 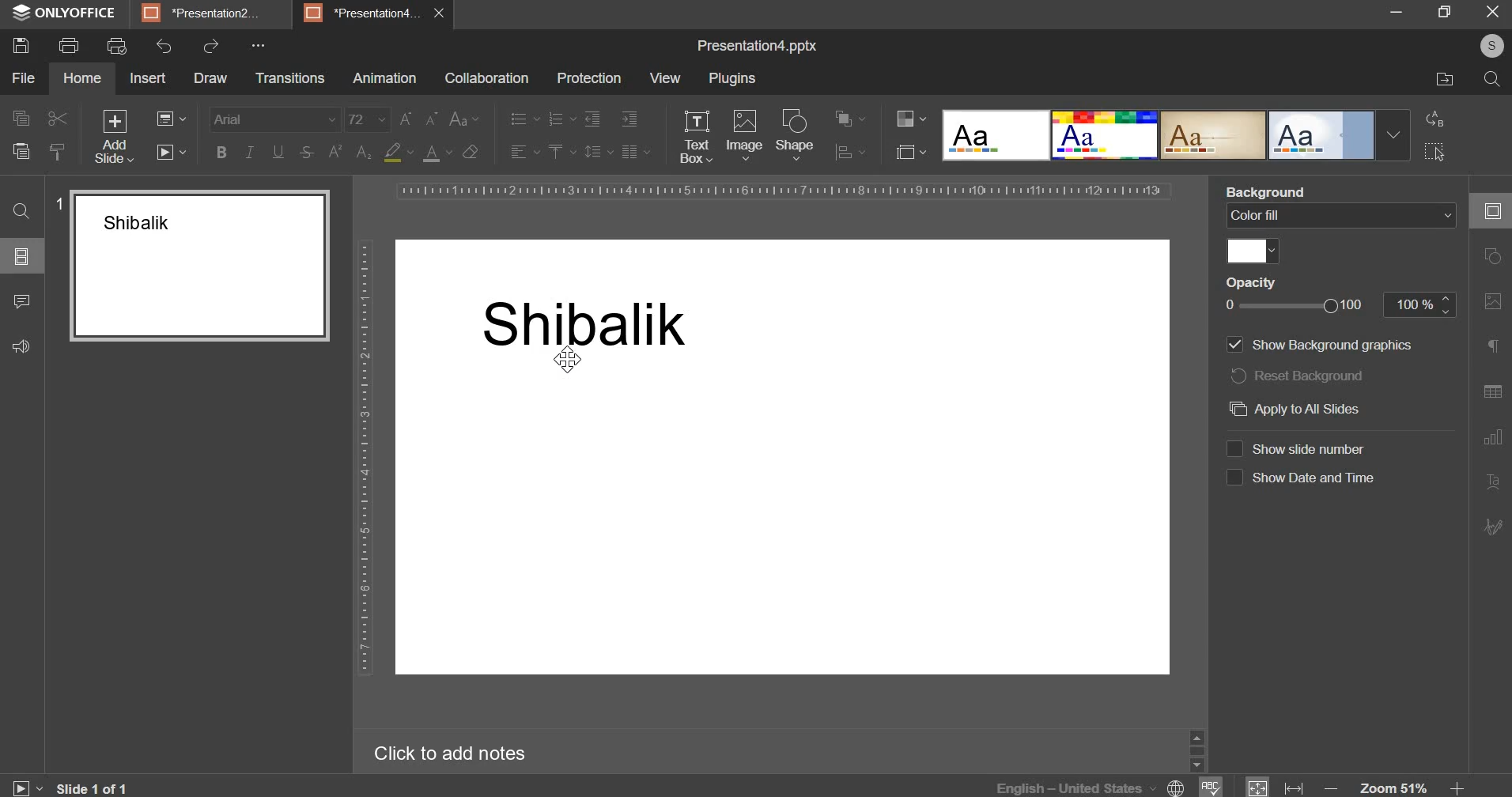 I want to click on font, so click(x=275, y=119).